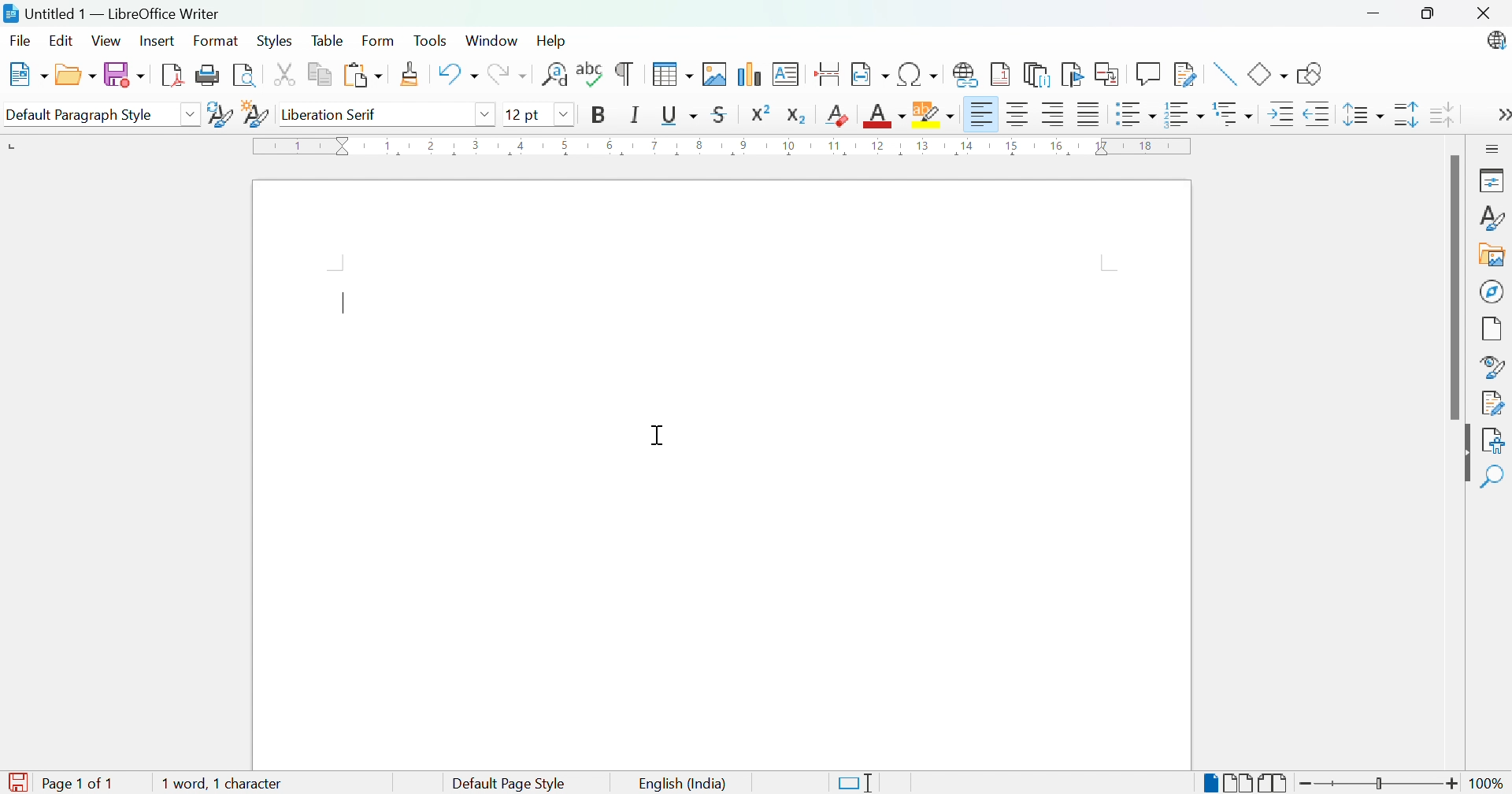 The image size is (1512, 794). Describe the element at coordinates (566, 115) in the screenshot. I see `Drop down` at that location.